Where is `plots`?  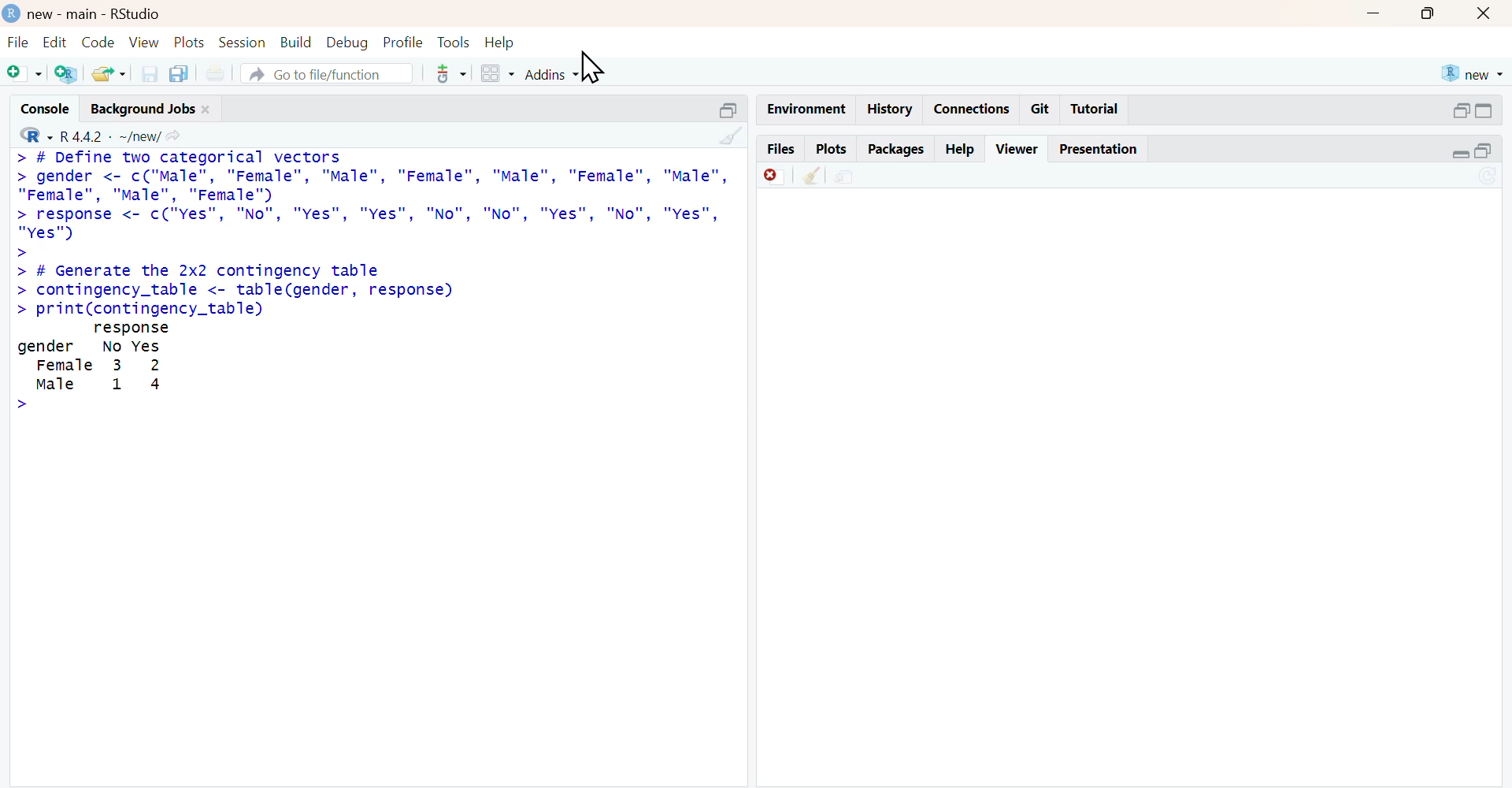 plots is located at coordinates (191, 42).